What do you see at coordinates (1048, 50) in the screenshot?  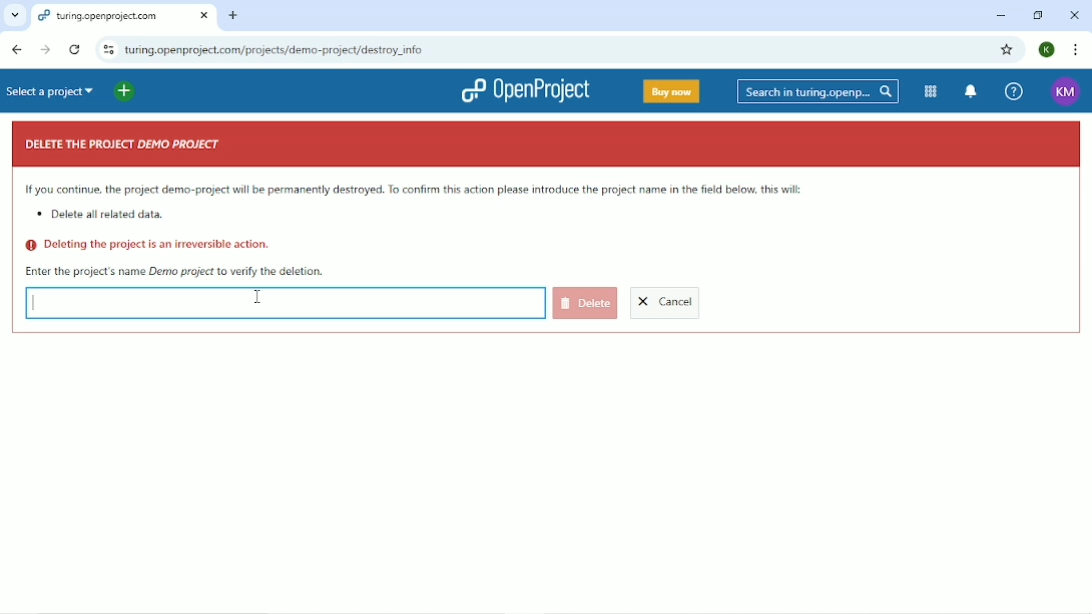 I see `K` at bounding box center [1048, 50].